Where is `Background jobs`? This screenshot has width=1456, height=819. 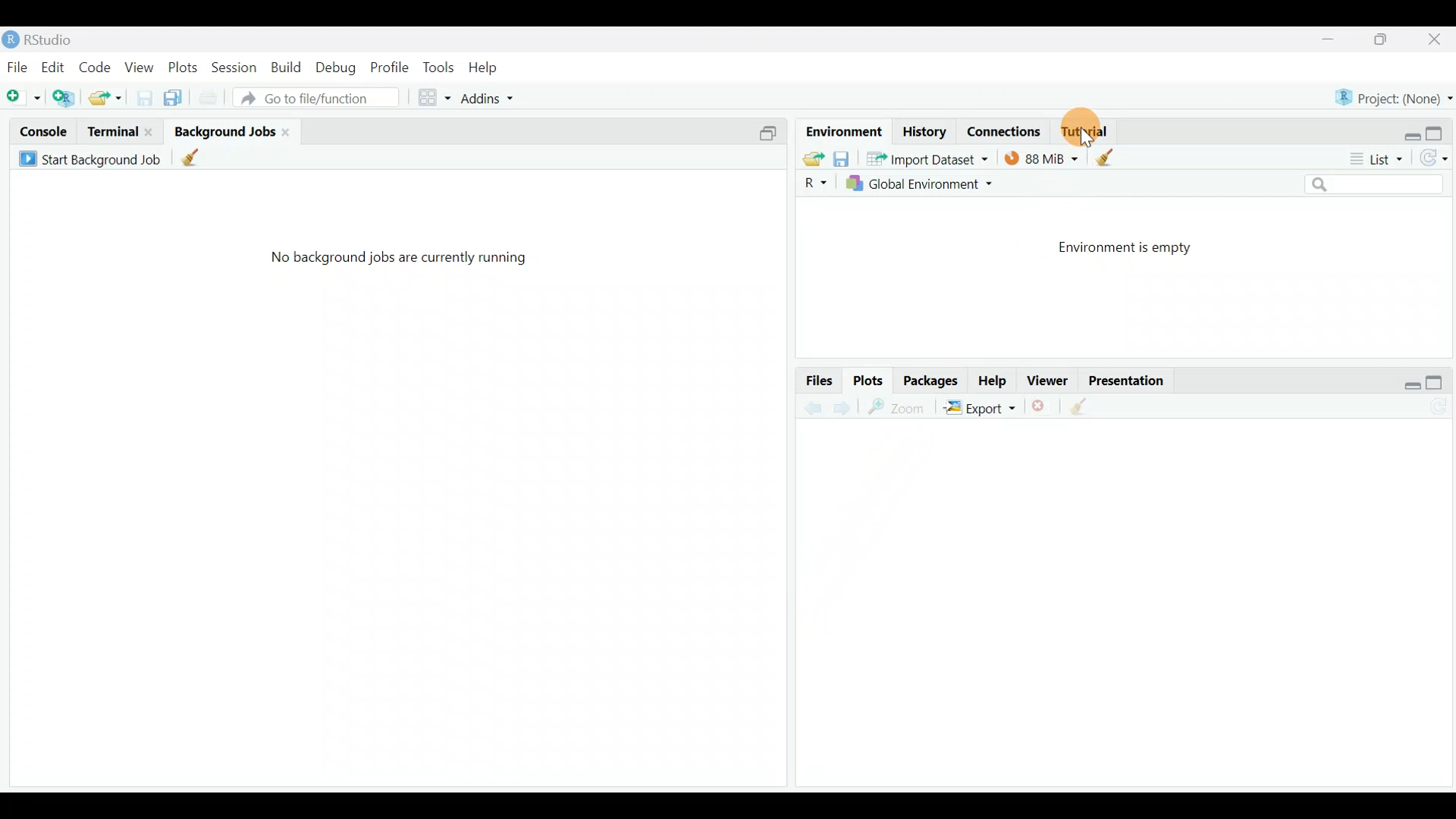
Background jobs is located at coordinates (223, 131).